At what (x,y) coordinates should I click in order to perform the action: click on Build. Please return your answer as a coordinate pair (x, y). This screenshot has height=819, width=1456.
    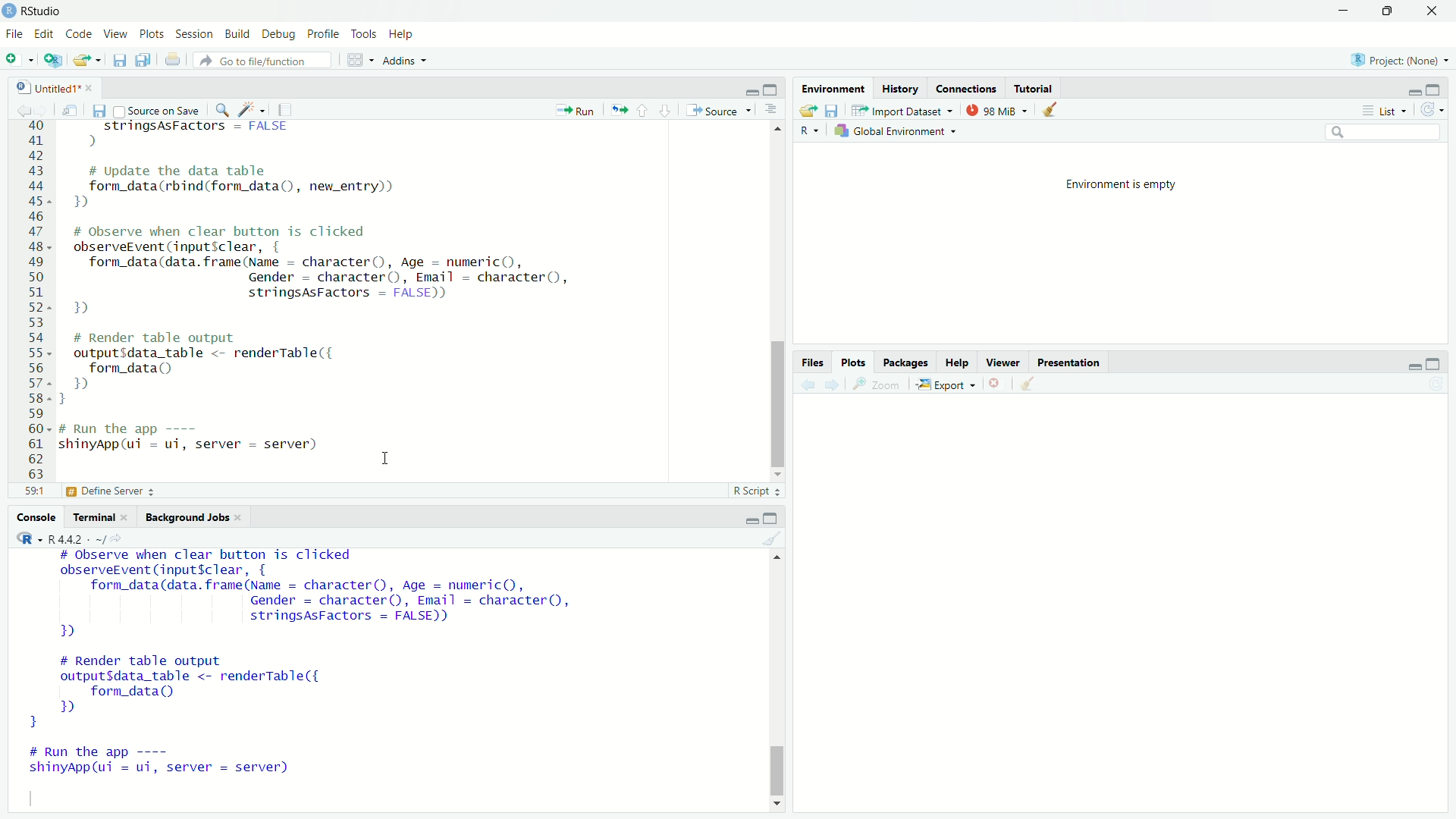
    Looking at the image, I should click on (238, 34).